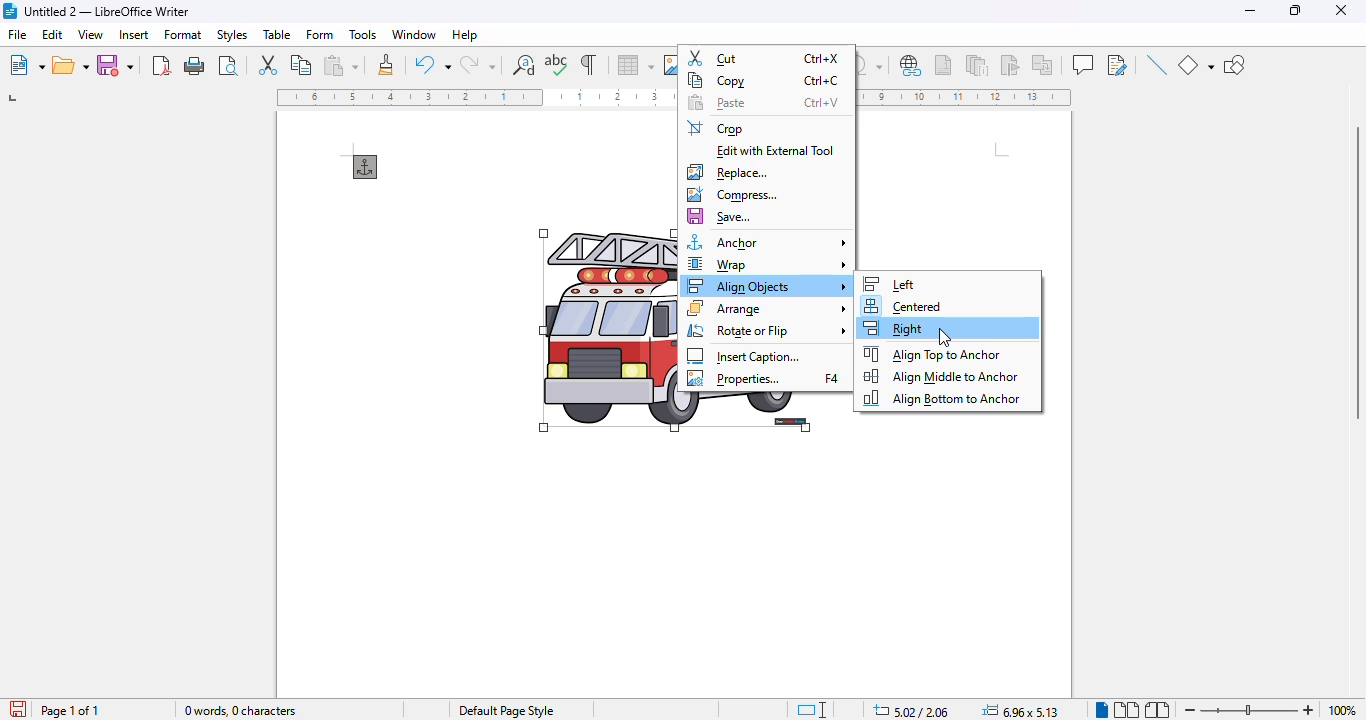 The image size is (1366, 720). What do you see at coordinates (768, 308) in the screenshot?
I see `arrange` at bounding box center [768, 308].